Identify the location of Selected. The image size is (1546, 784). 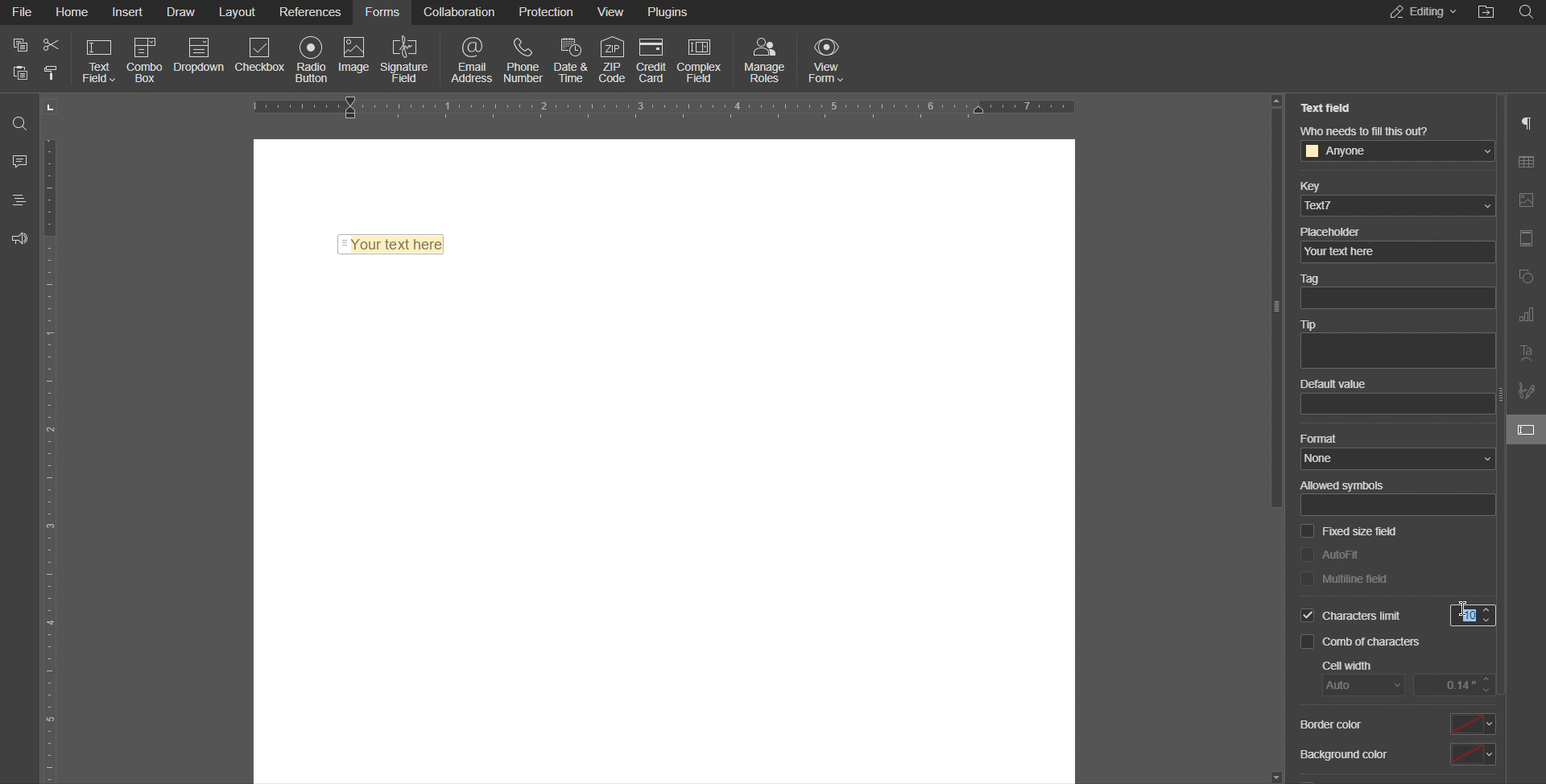
(1478, 617).